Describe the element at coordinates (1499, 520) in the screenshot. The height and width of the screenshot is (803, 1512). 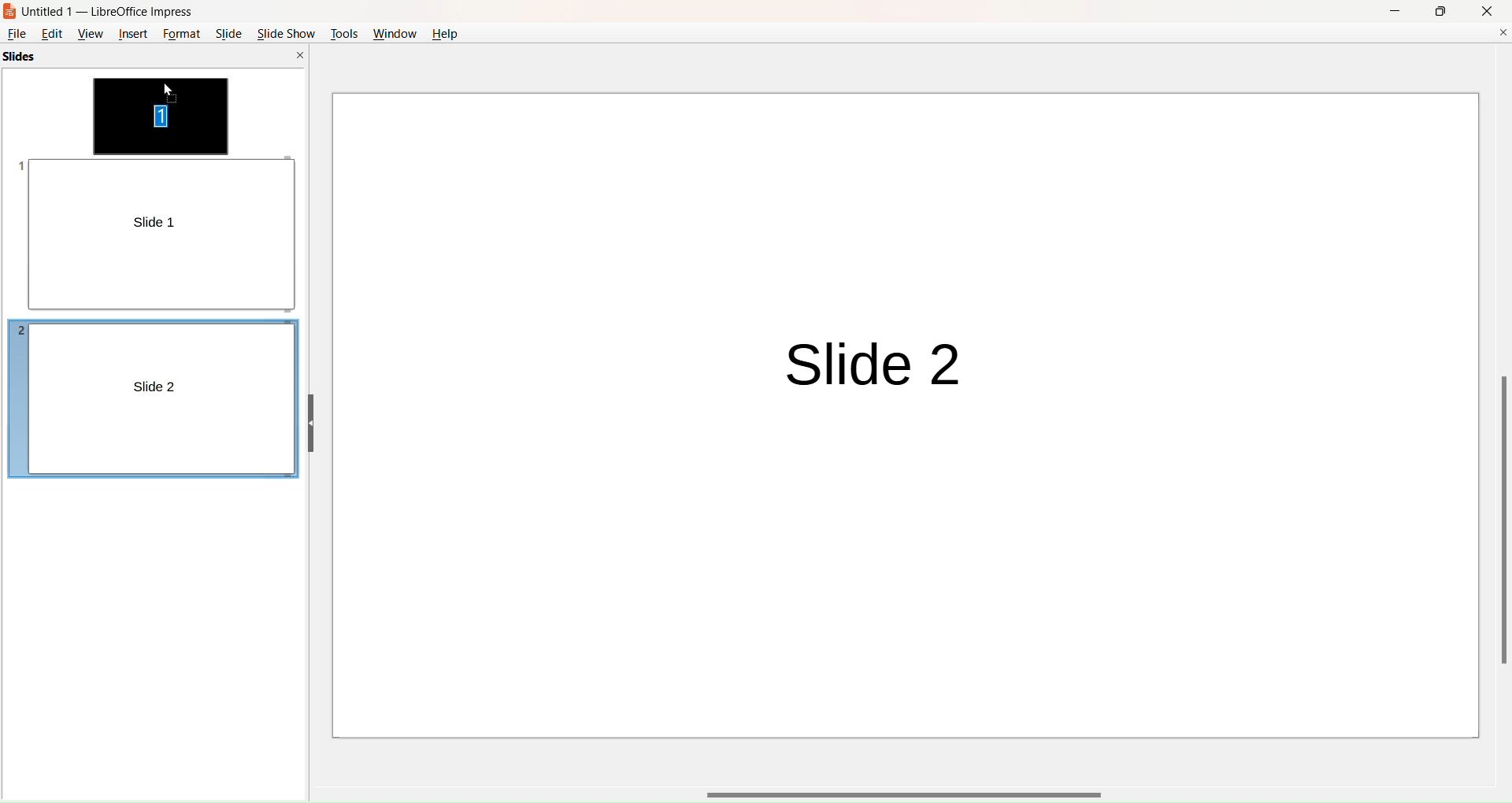
I see `vertical scroll bar` at that location.